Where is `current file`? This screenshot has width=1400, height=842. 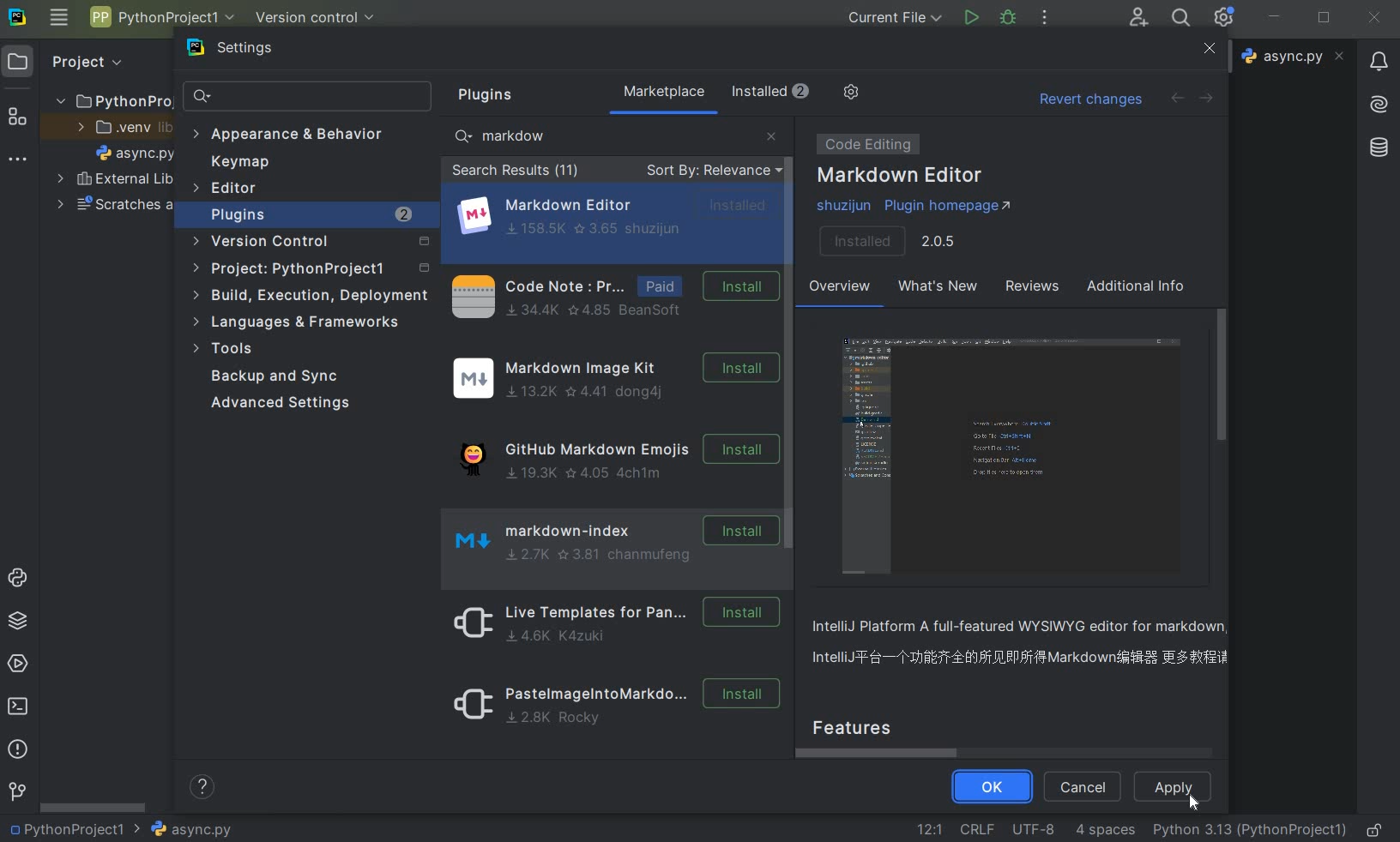
current file is located at coordinates (895, 17).